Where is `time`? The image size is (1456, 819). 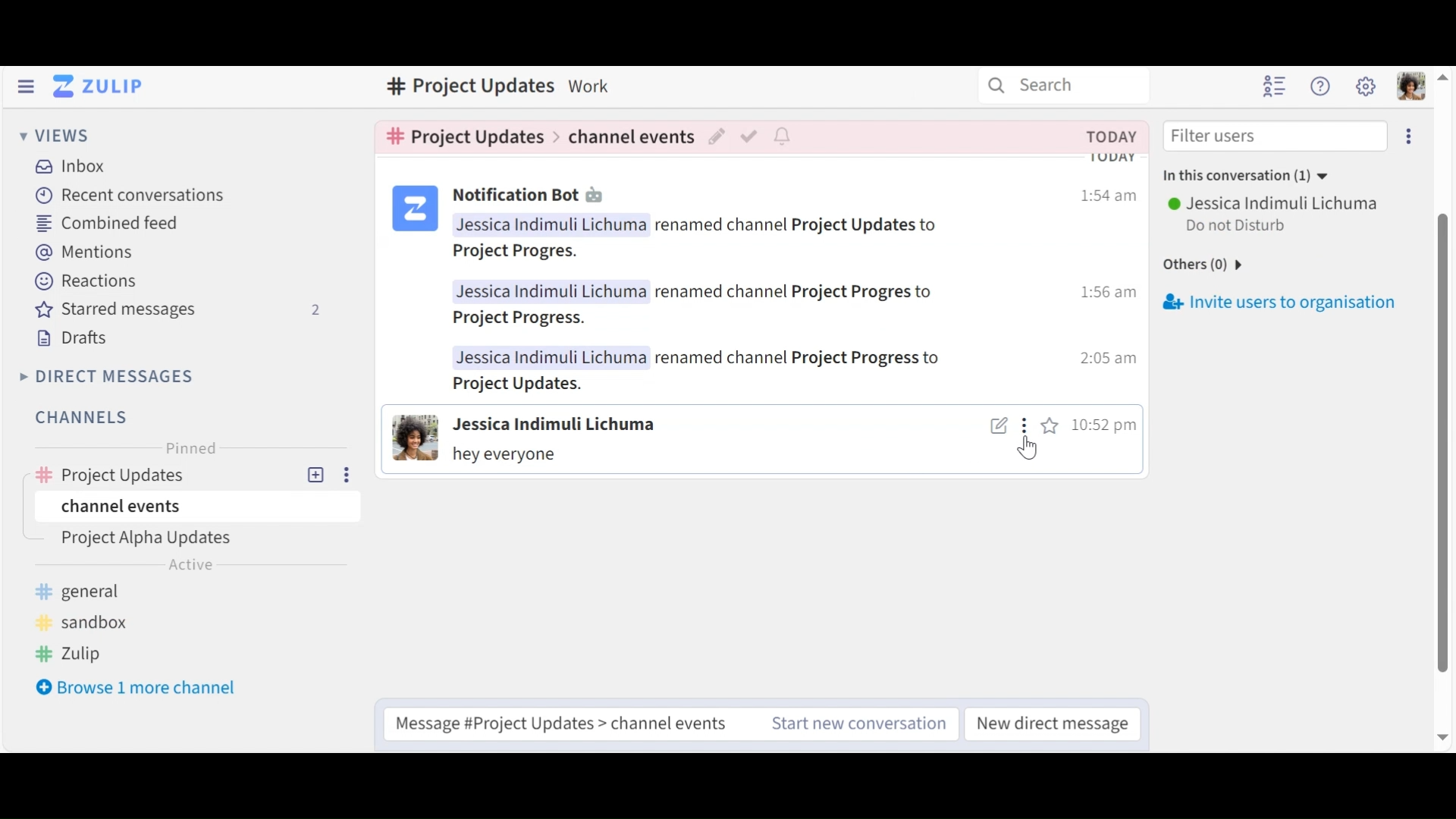
time is located at coordinates (1109, 295).